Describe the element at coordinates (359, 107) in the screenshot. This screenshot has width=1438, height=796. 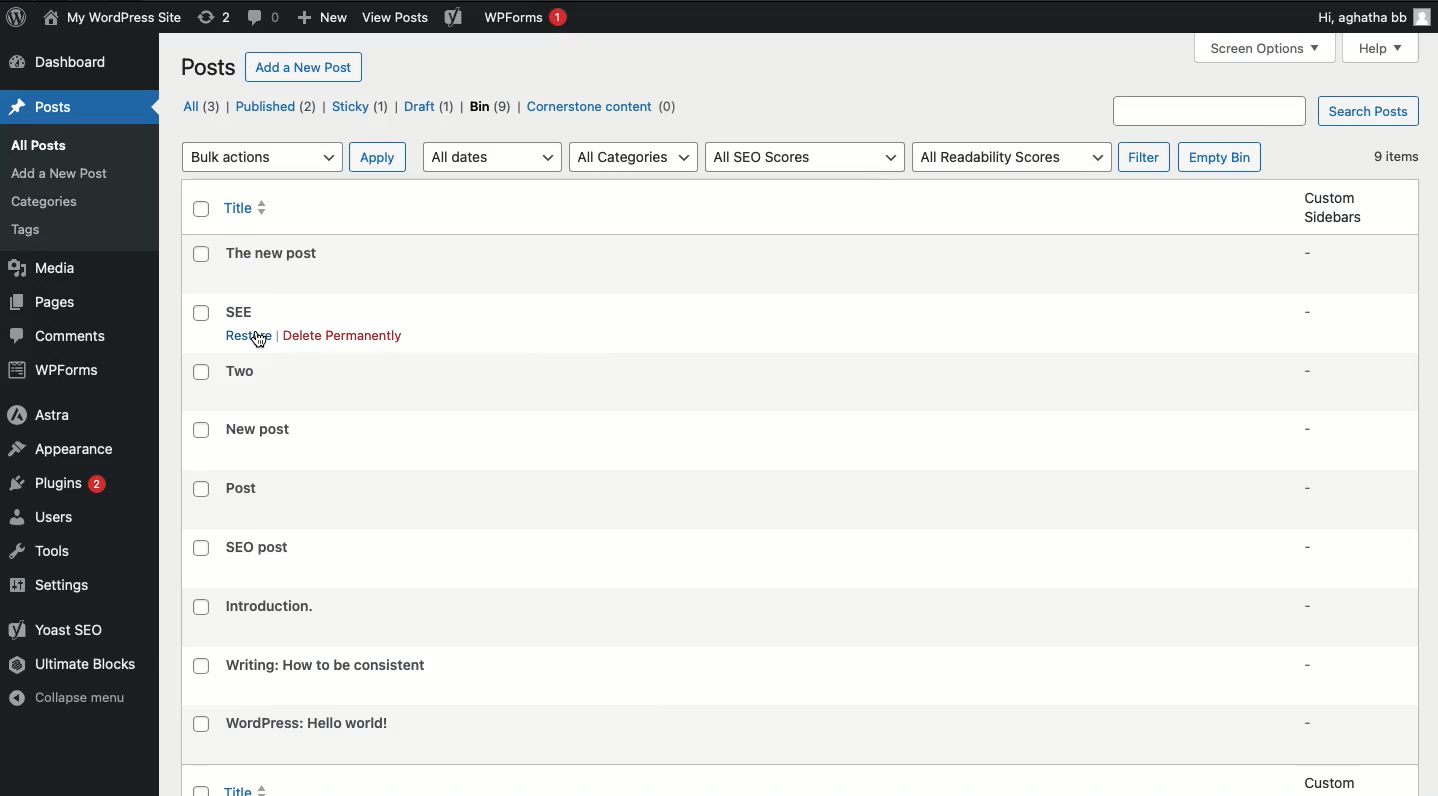
I see `Sticky` at that location.